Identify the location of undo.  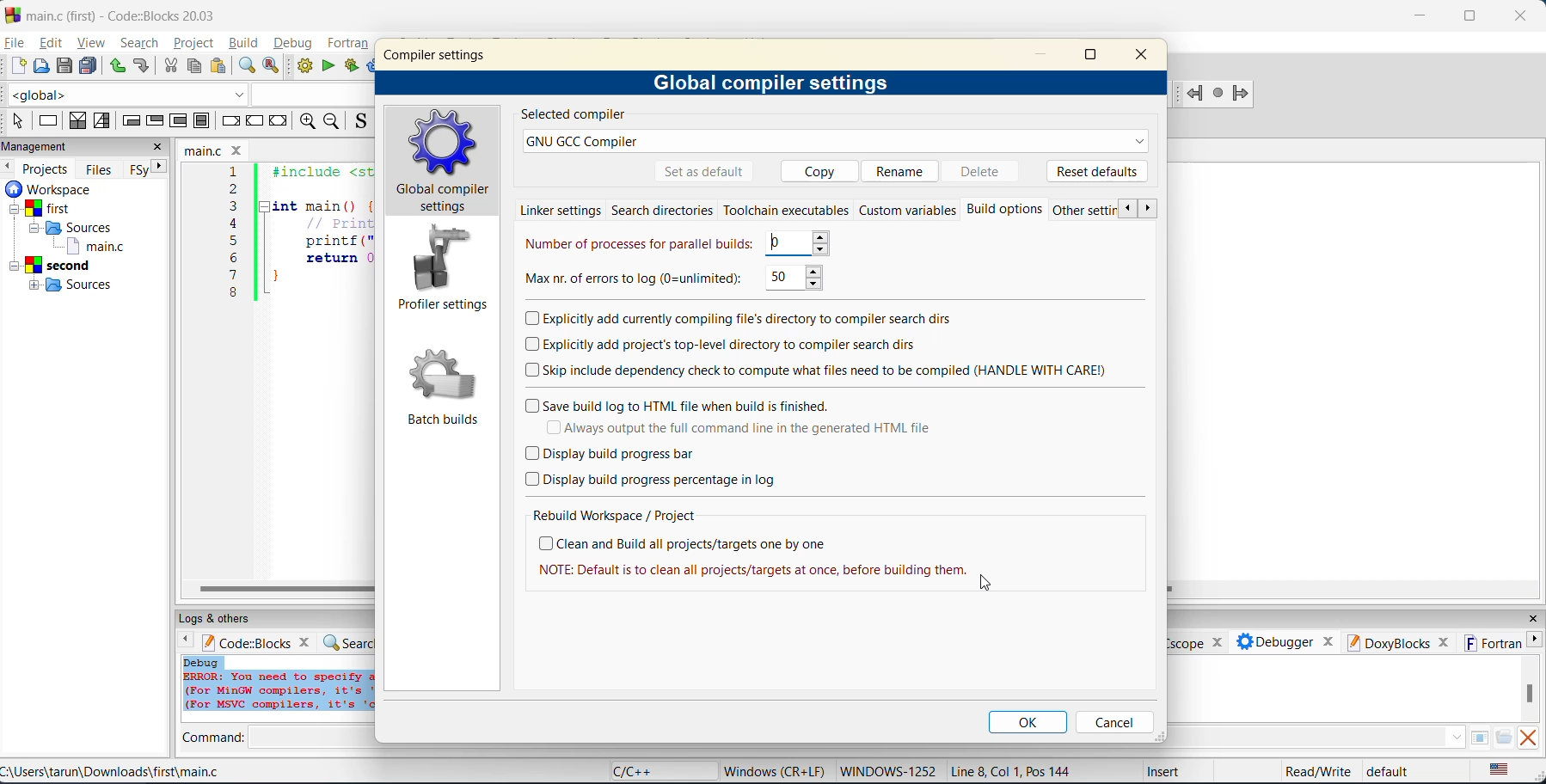
(117, 67).